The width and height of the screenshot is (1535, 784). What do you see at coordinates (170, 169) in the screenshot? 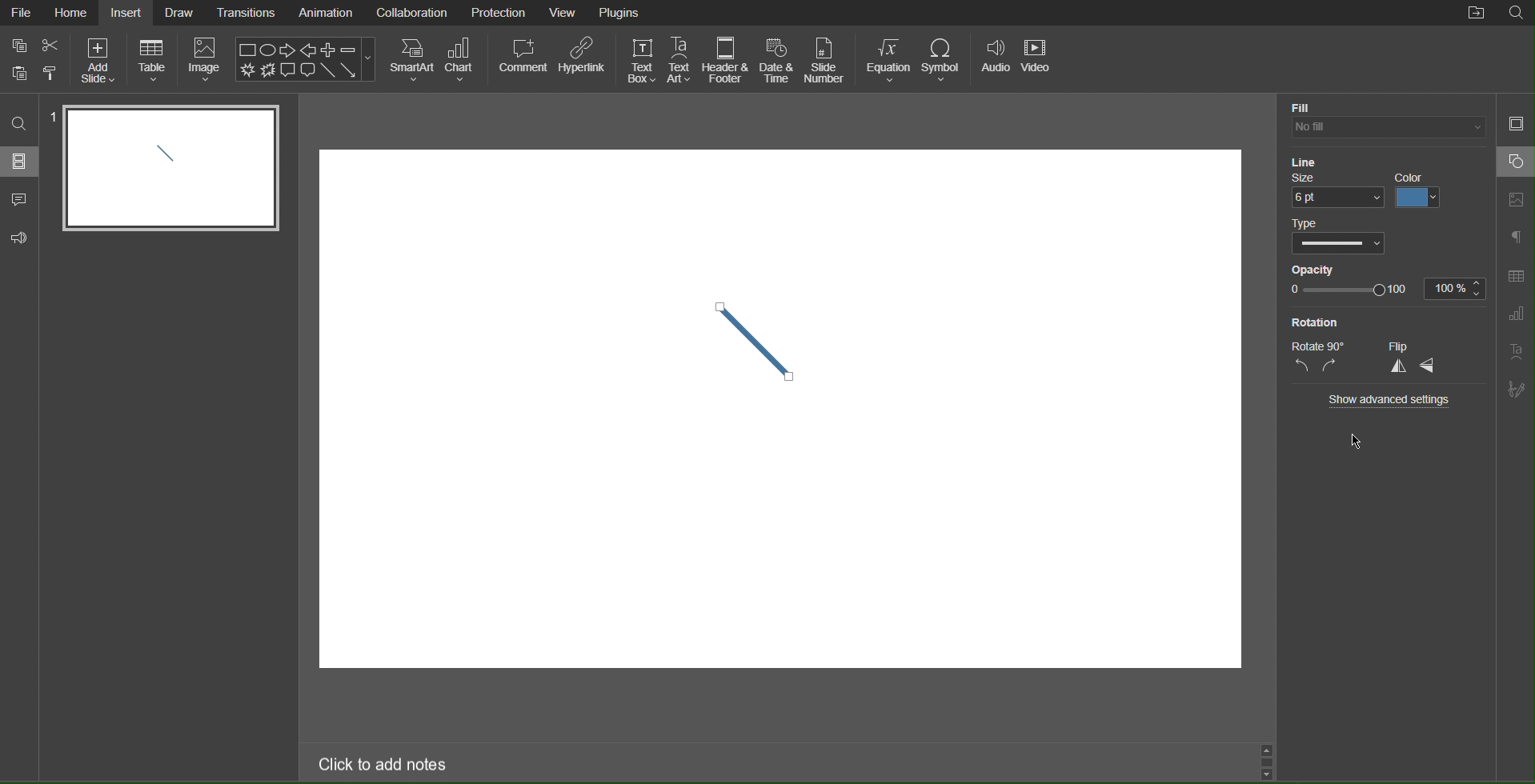
I see `Slide 1` at bounding box center [170, 169].